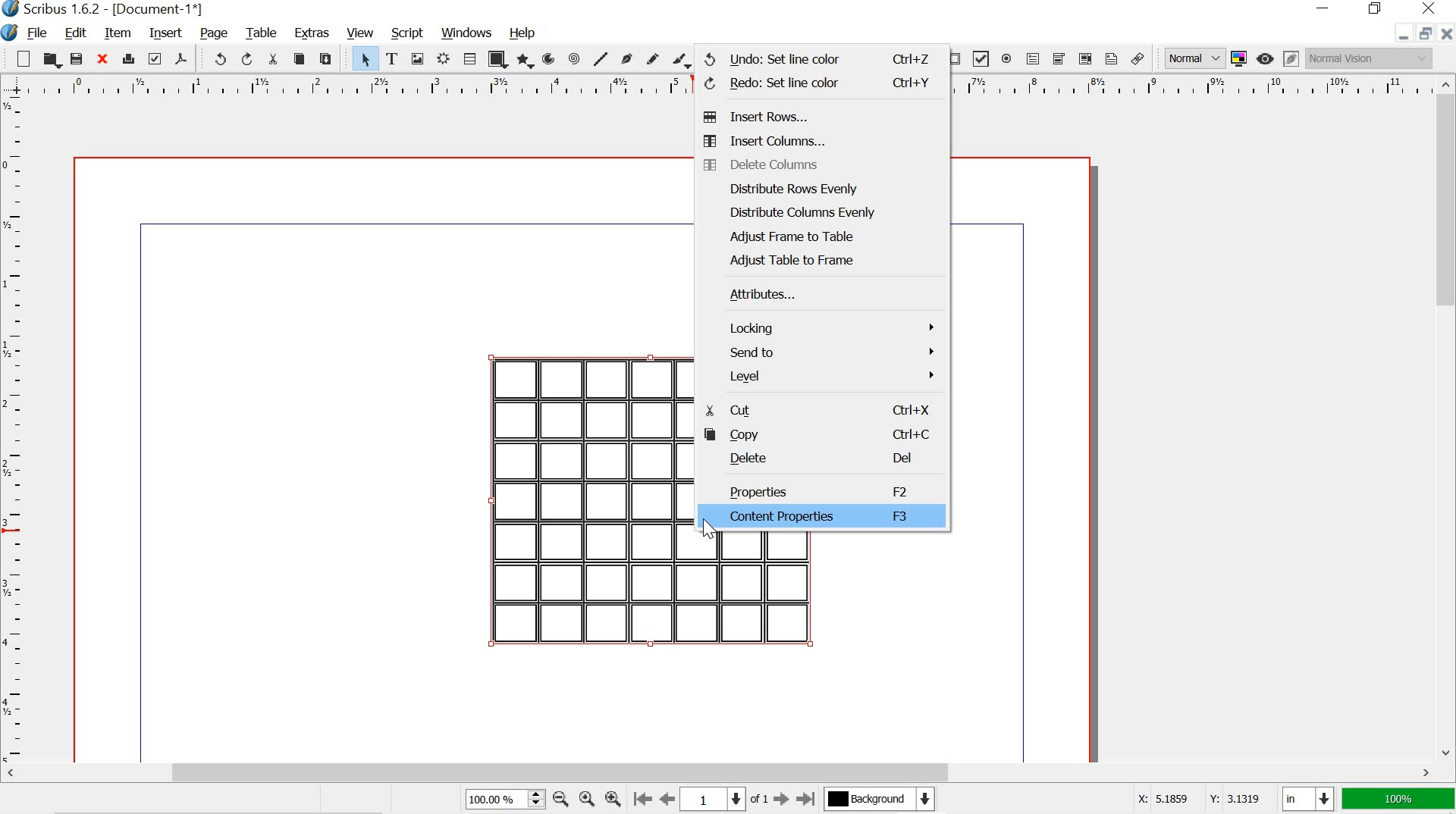 This screenshot has width=1456, height=814. What do you see at coordinates (701, 528) in the screenshot?
I see `cursor` at bounding box center [701, 528].